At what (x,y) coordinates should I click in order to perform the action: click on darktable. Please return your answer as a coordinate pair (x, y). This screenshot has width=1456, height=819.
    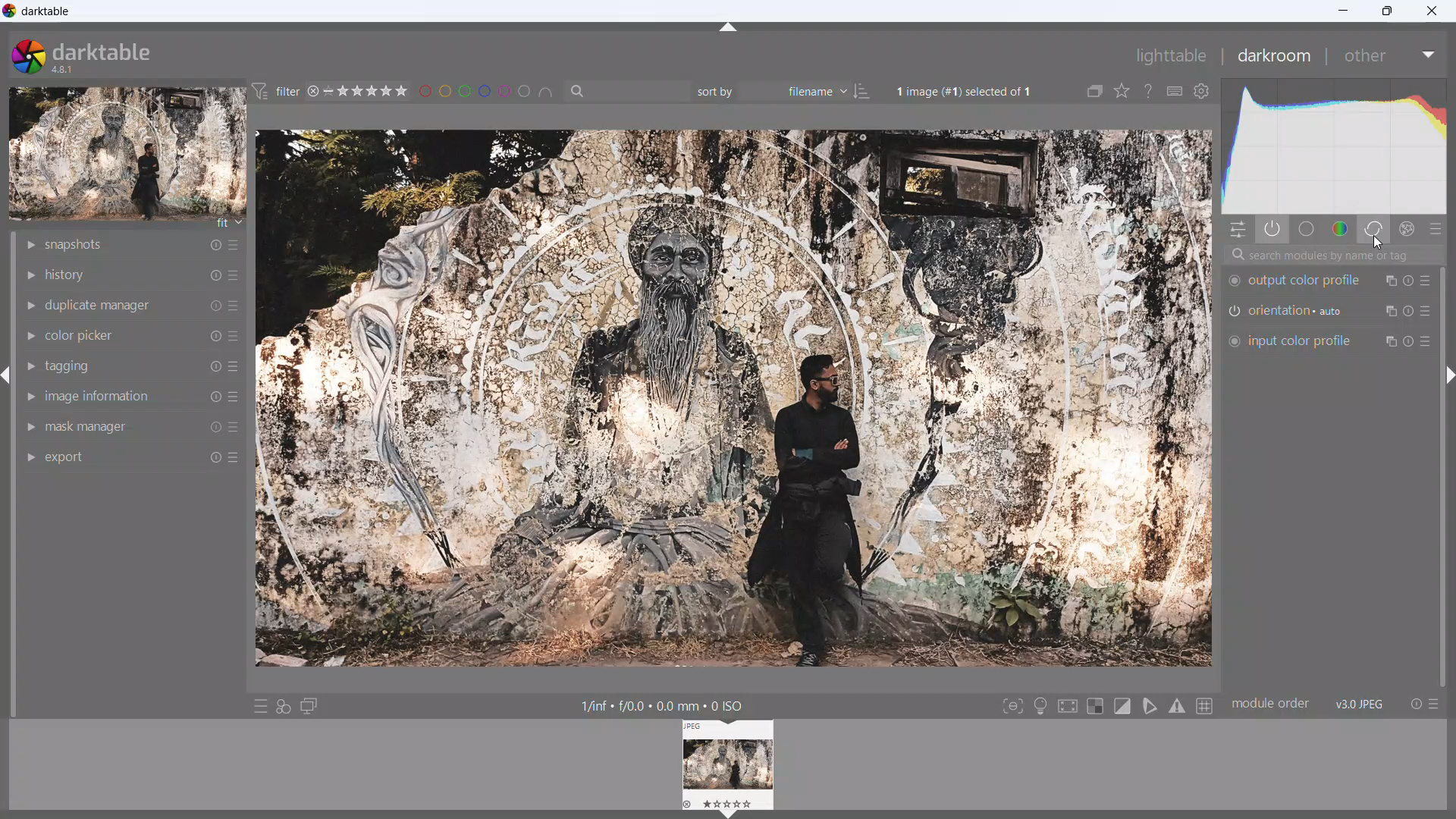
    Looking at the image, I should click on (103, 51).